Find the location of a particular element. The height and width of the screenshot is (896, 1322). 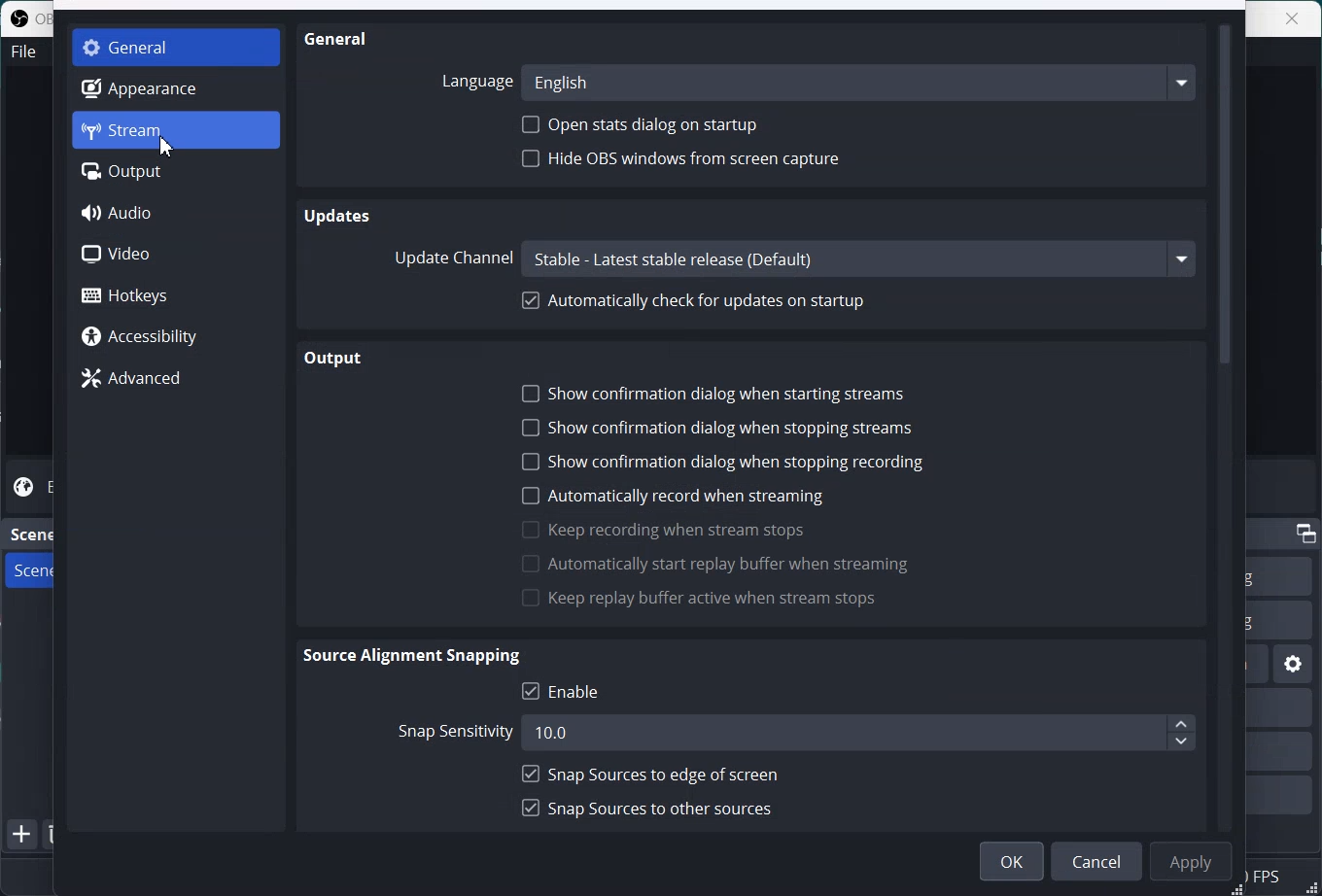

Vertical scroll bar is located at coordinates (1231, 422).